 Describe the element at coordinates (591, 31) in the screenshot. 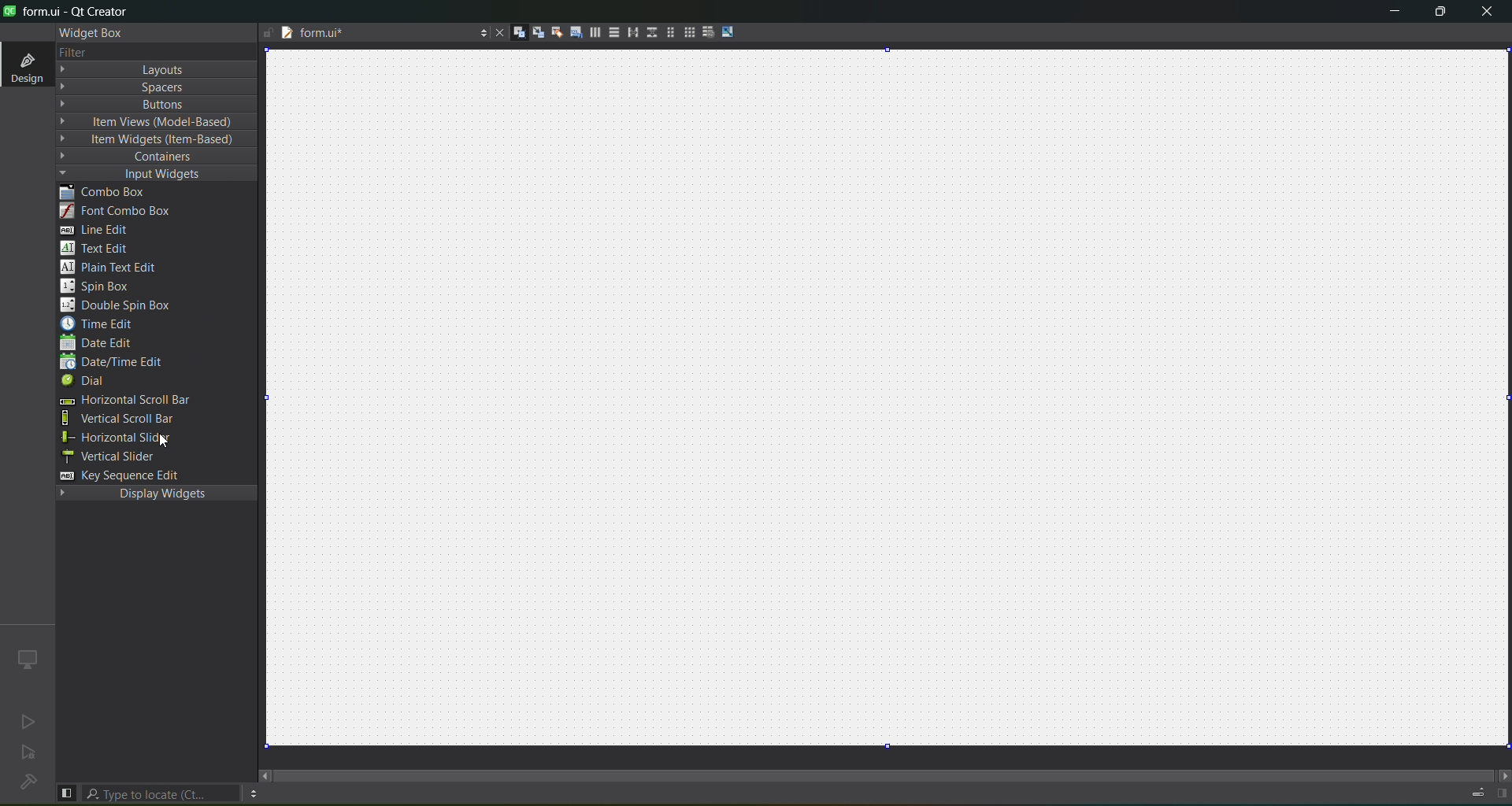

I see `horizontal layout` at that location.